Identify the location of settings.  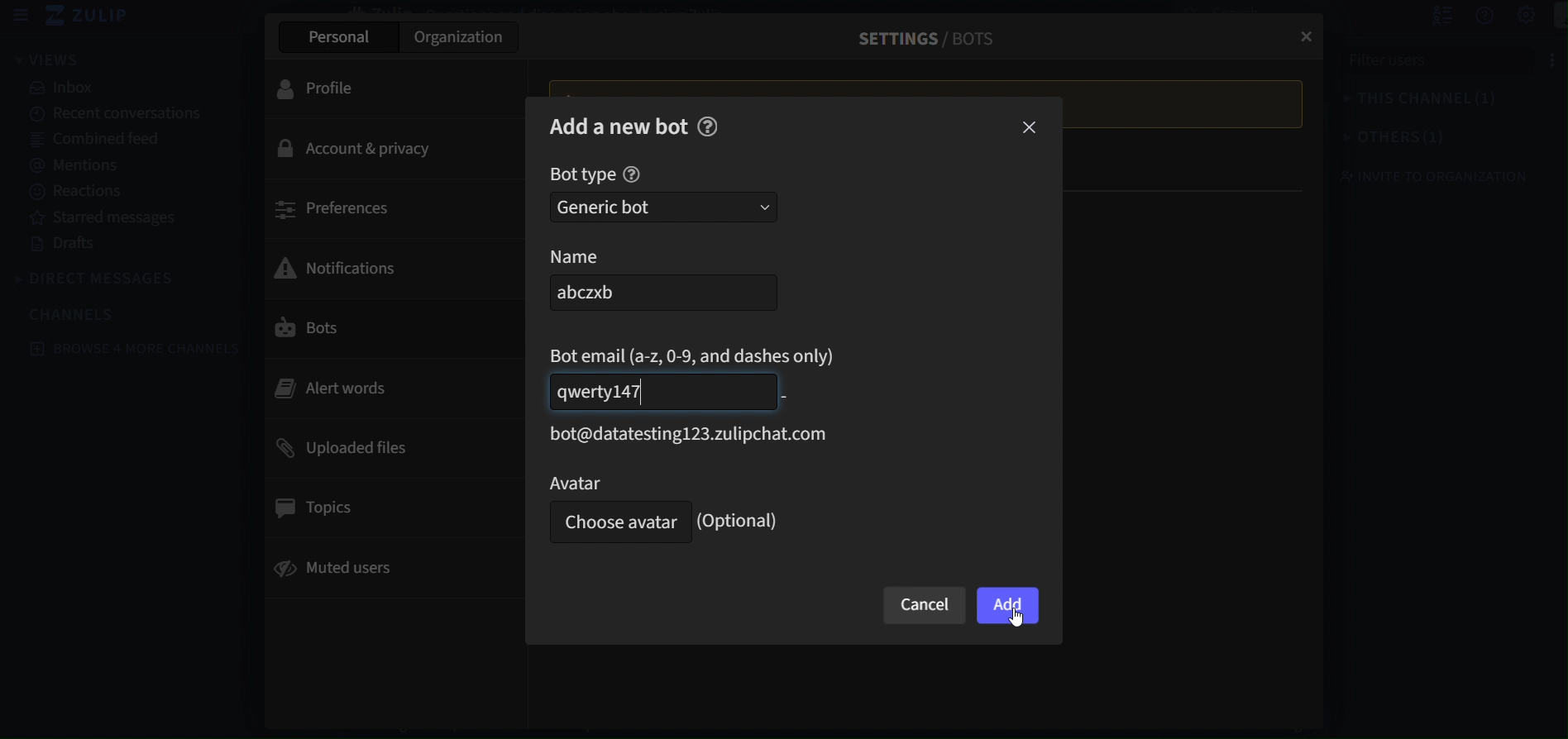
(1509, 16).